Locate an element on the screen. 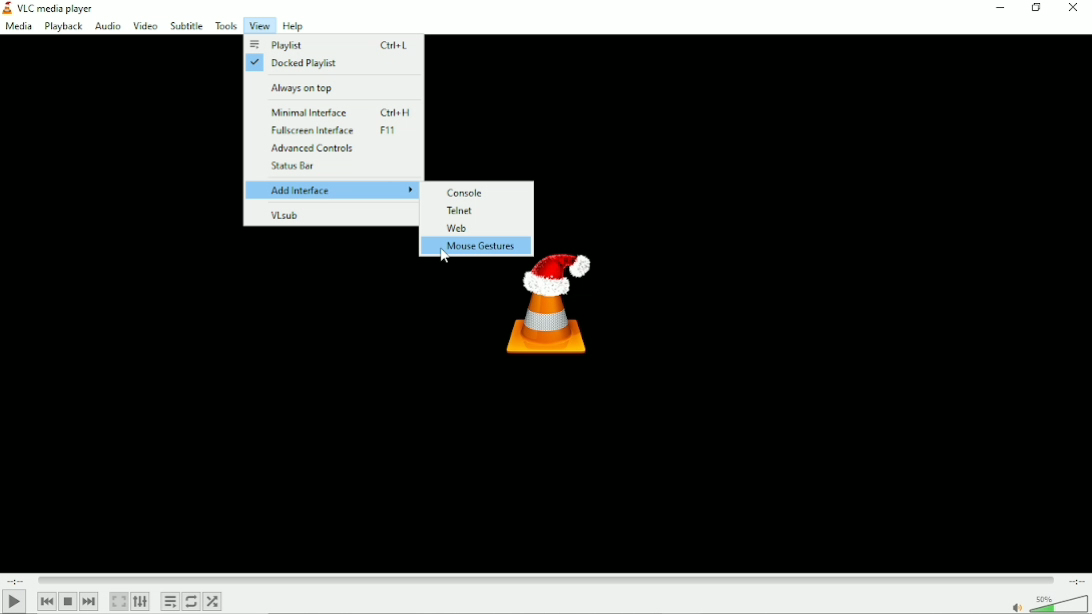 Image resolution: width=1092 pixels, height=614 pixels. Play duration is located at coordinates (545, 580).